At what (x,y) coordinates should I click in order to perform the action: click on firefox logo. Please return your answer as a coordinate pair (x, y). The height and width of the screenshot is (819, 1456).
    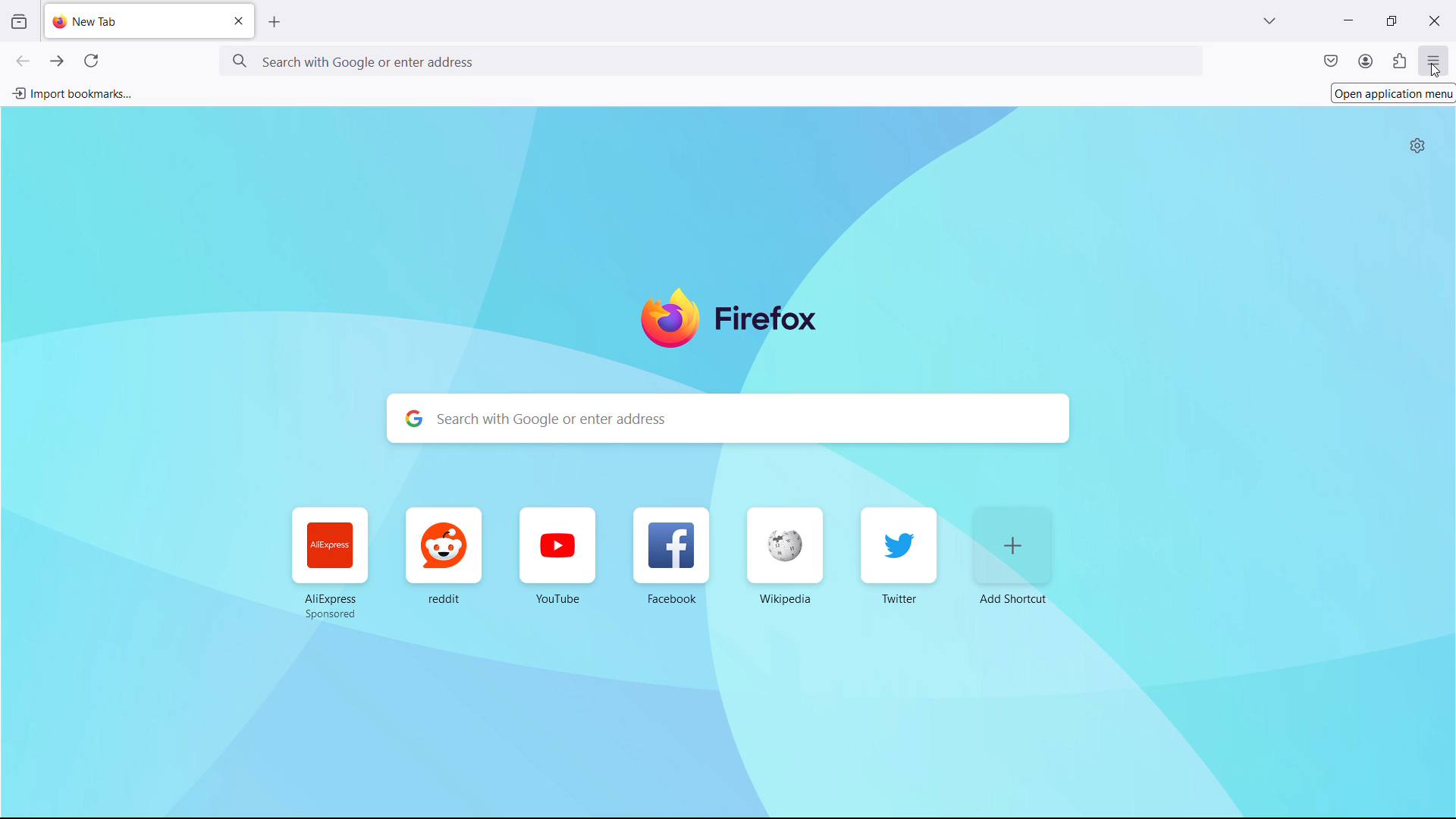
    Looking at the image, I should click on (730, 322).